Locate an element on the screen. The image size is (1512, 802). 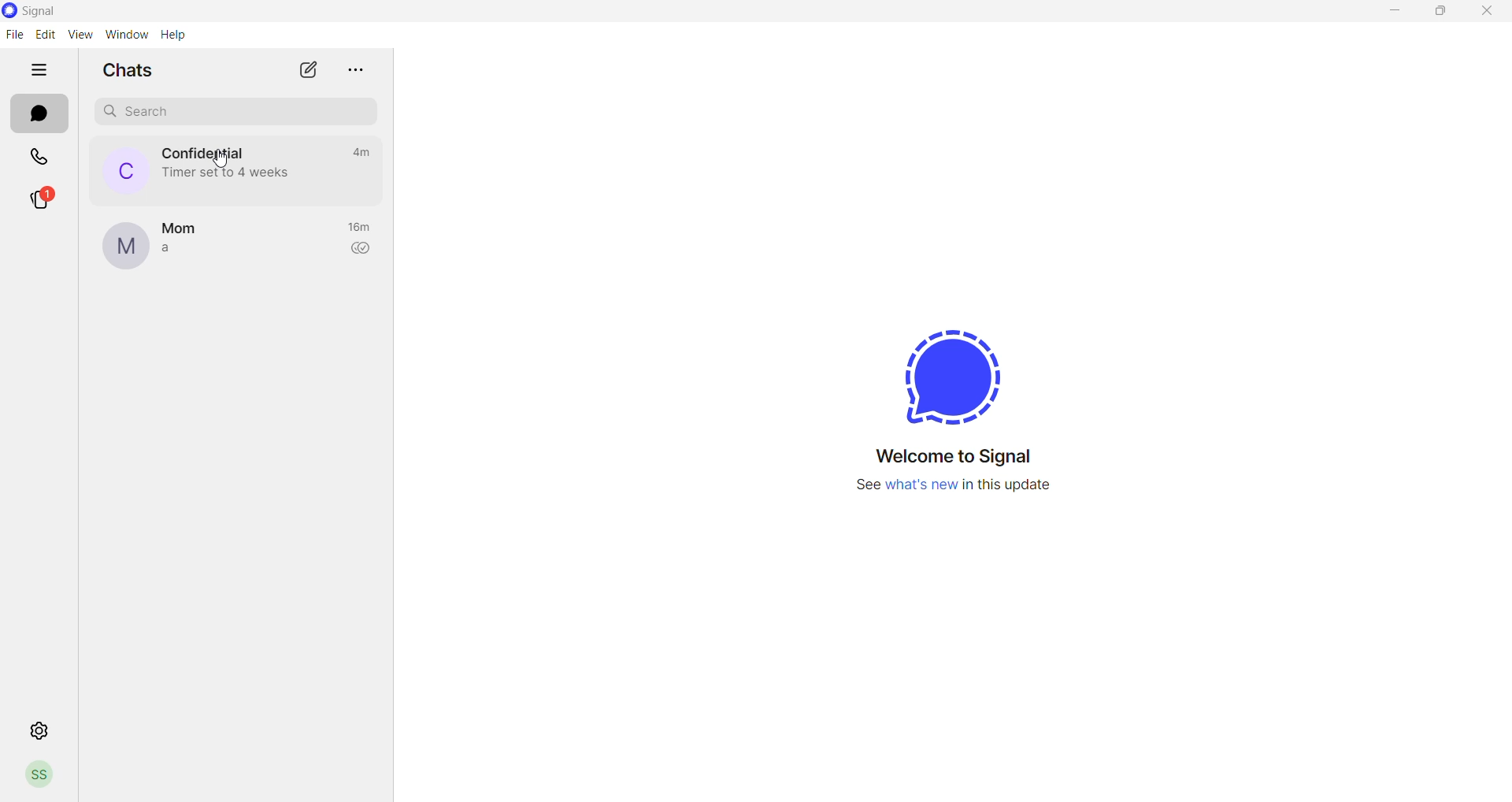
read recipient is located at coordinates (363, 251).